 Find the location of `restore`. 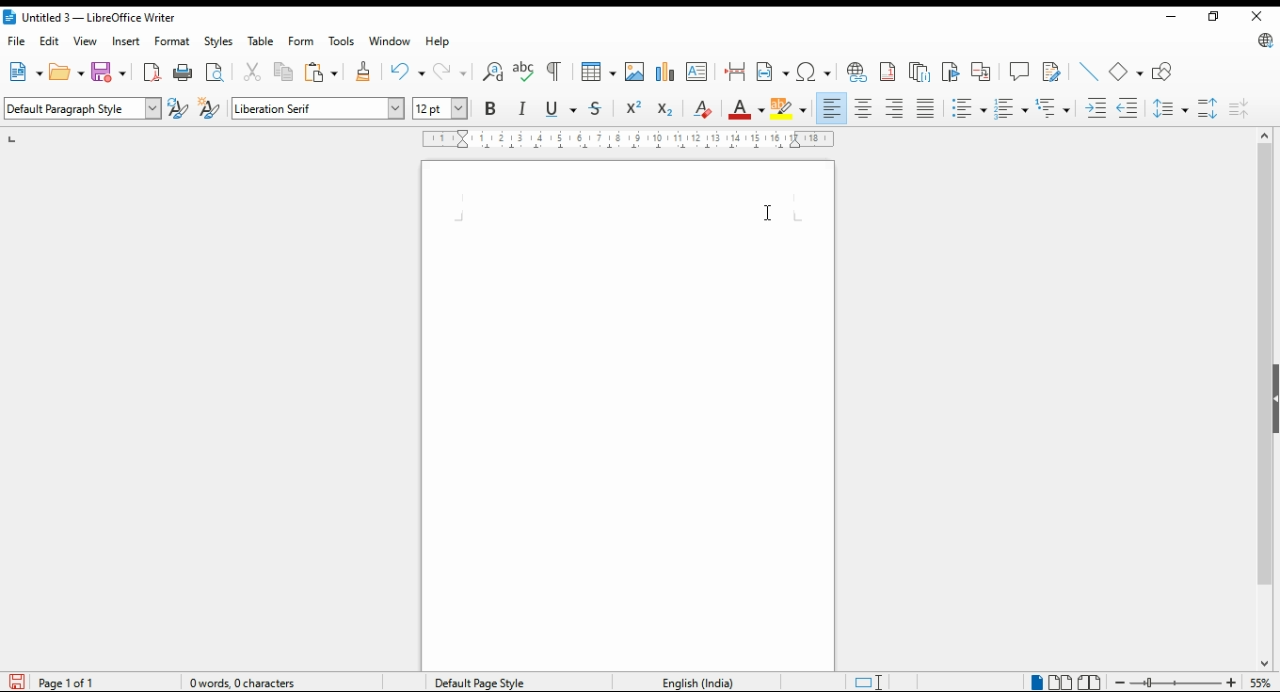

restore is located at coordinates (1212, 16).